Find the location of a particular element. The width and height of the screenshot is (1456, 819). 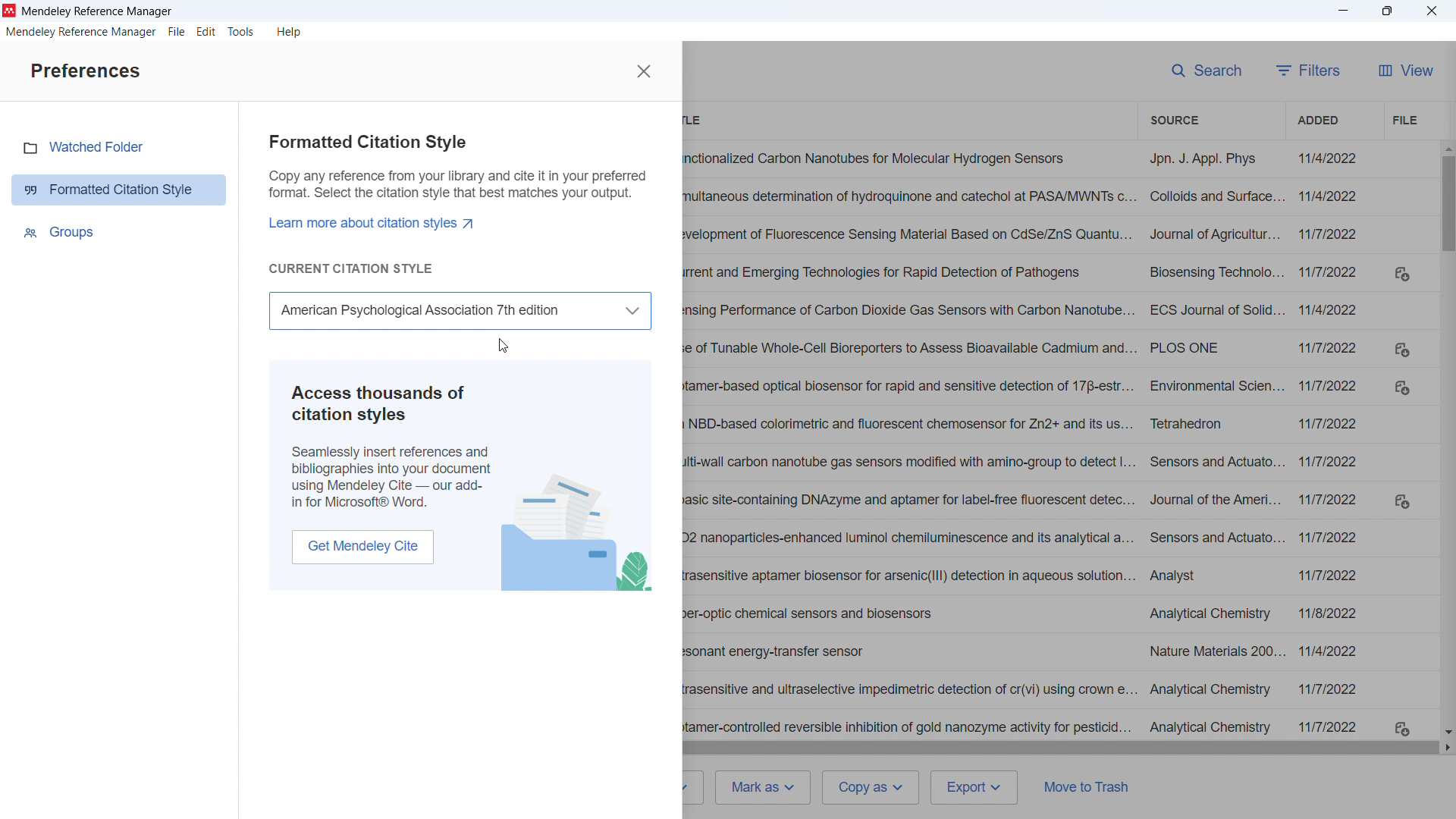

Source of individual entries  is located at coordinates (1213, 442).